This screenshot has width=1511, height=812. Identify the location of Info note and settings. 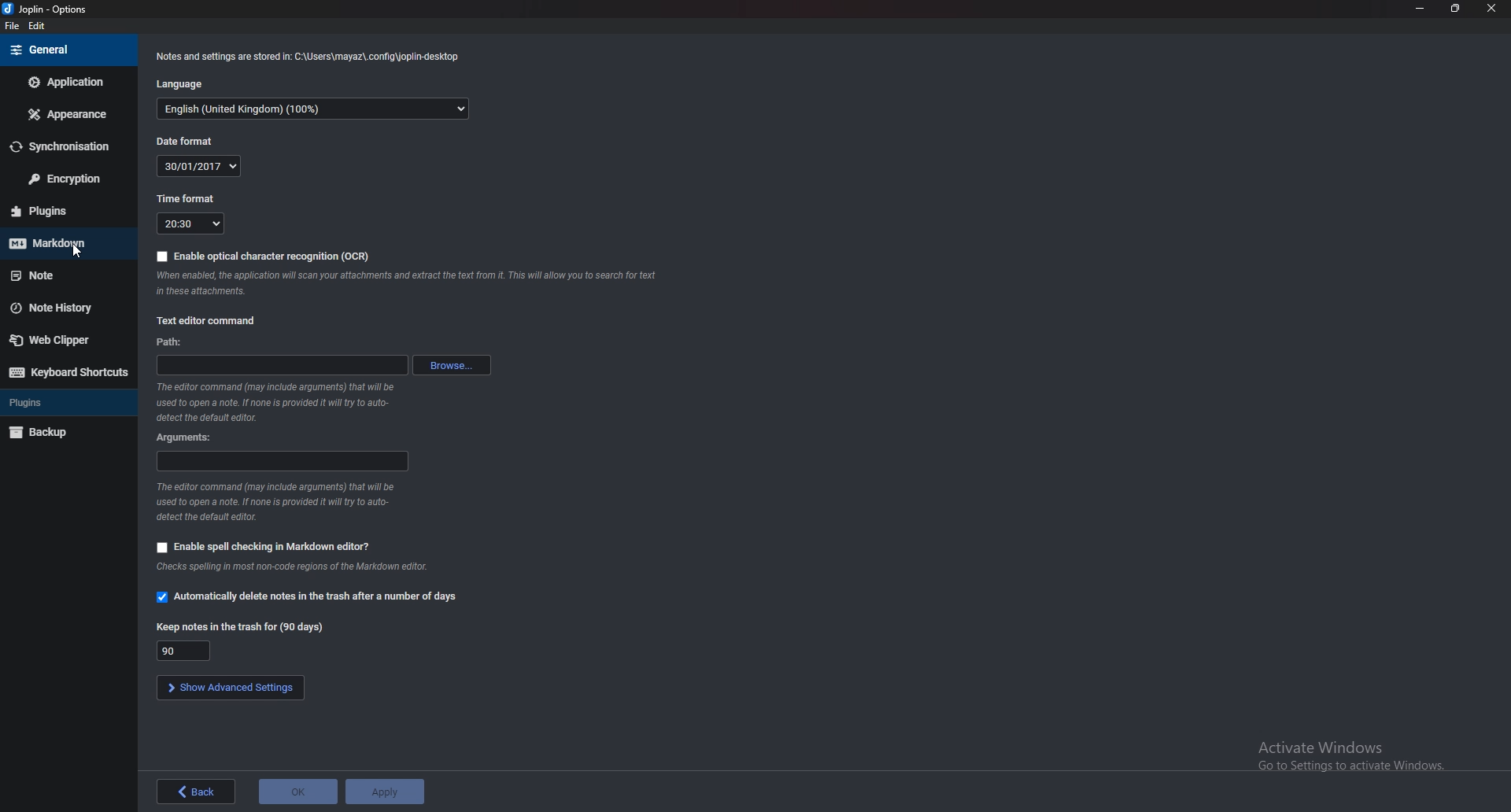
(312, 60).